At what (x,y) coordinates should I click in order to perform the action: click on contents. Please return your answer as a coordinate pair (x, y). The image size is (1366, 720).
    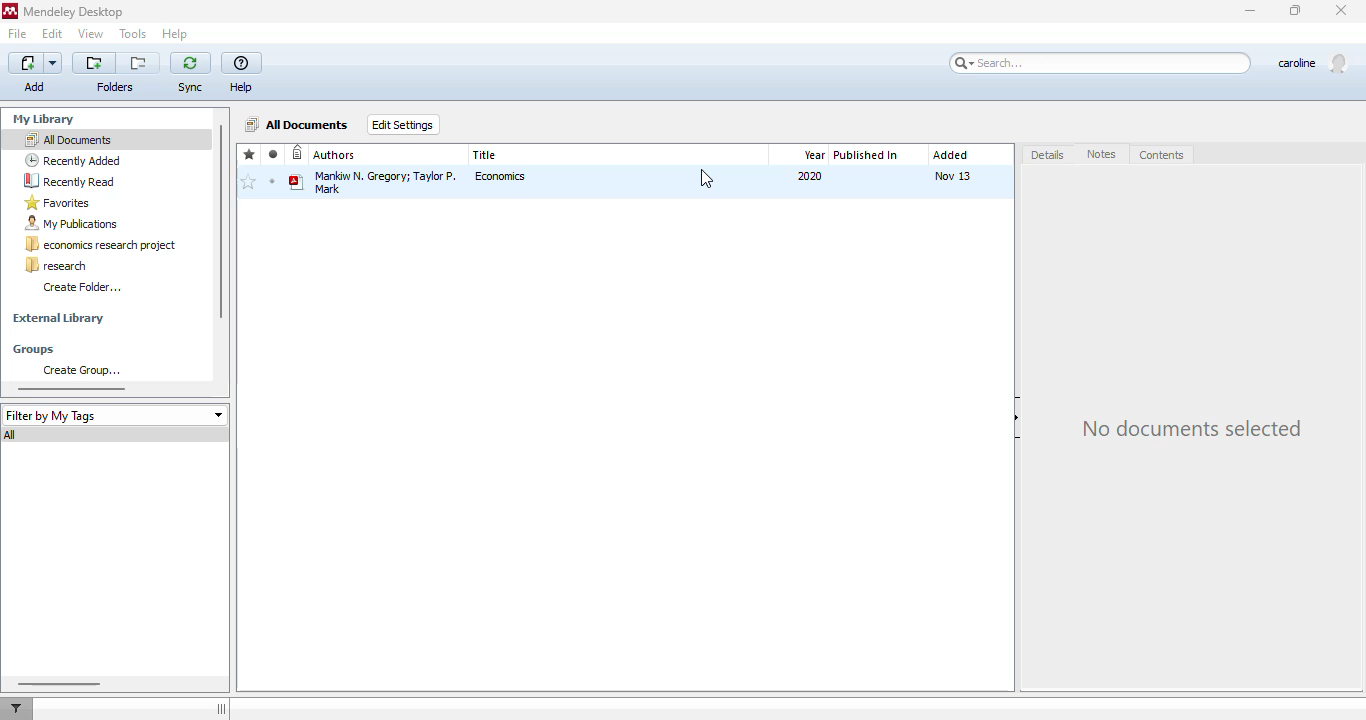
    Looking at the image, I should click on (1162, 156).